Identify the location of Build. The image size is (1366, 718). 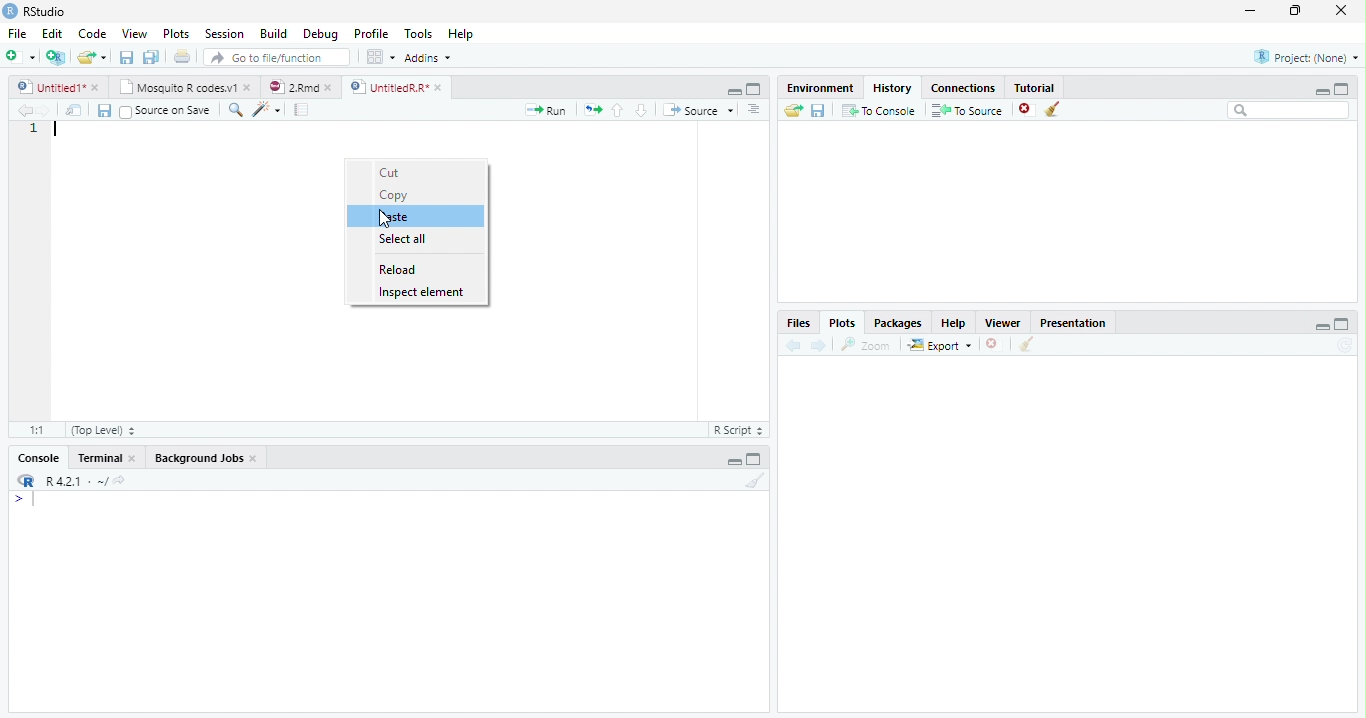
(274, 33).